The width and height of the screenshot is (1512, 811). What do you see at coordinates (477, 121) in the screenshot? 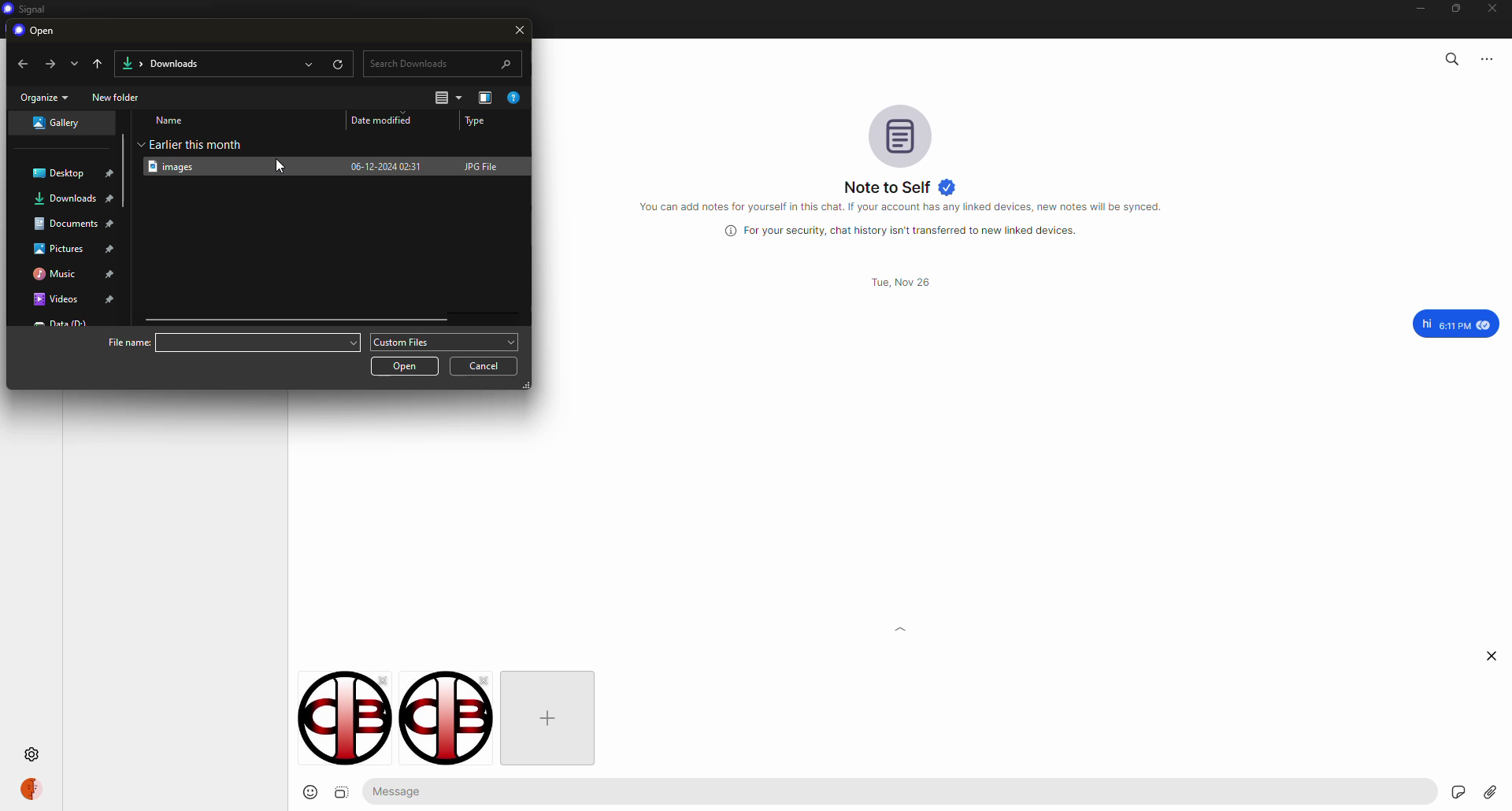
I see `type` at bounding box center [477, 121].